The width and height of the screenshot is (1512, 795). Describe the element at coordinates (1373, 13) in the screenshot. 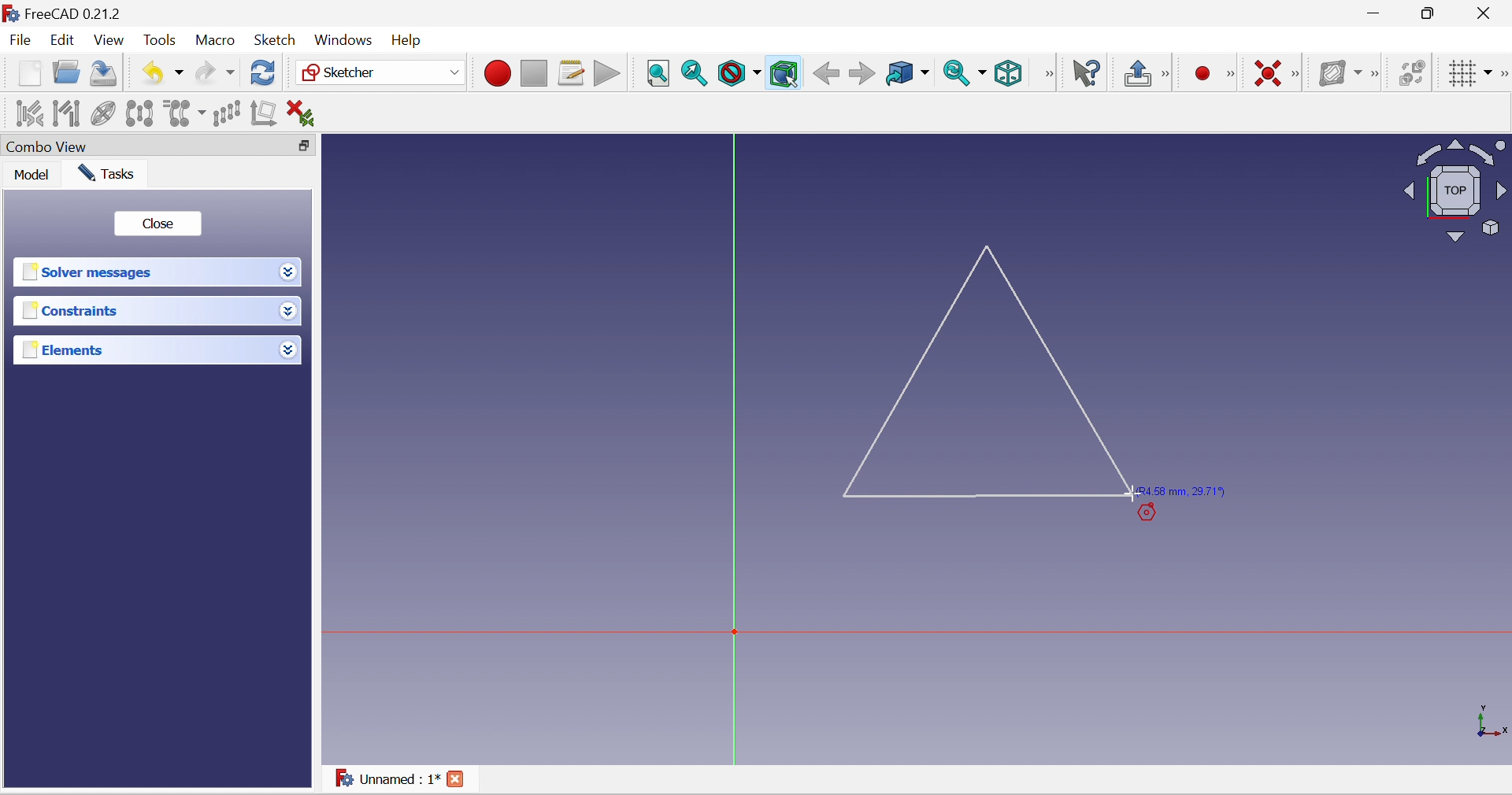

I see `Minimize` at that location.